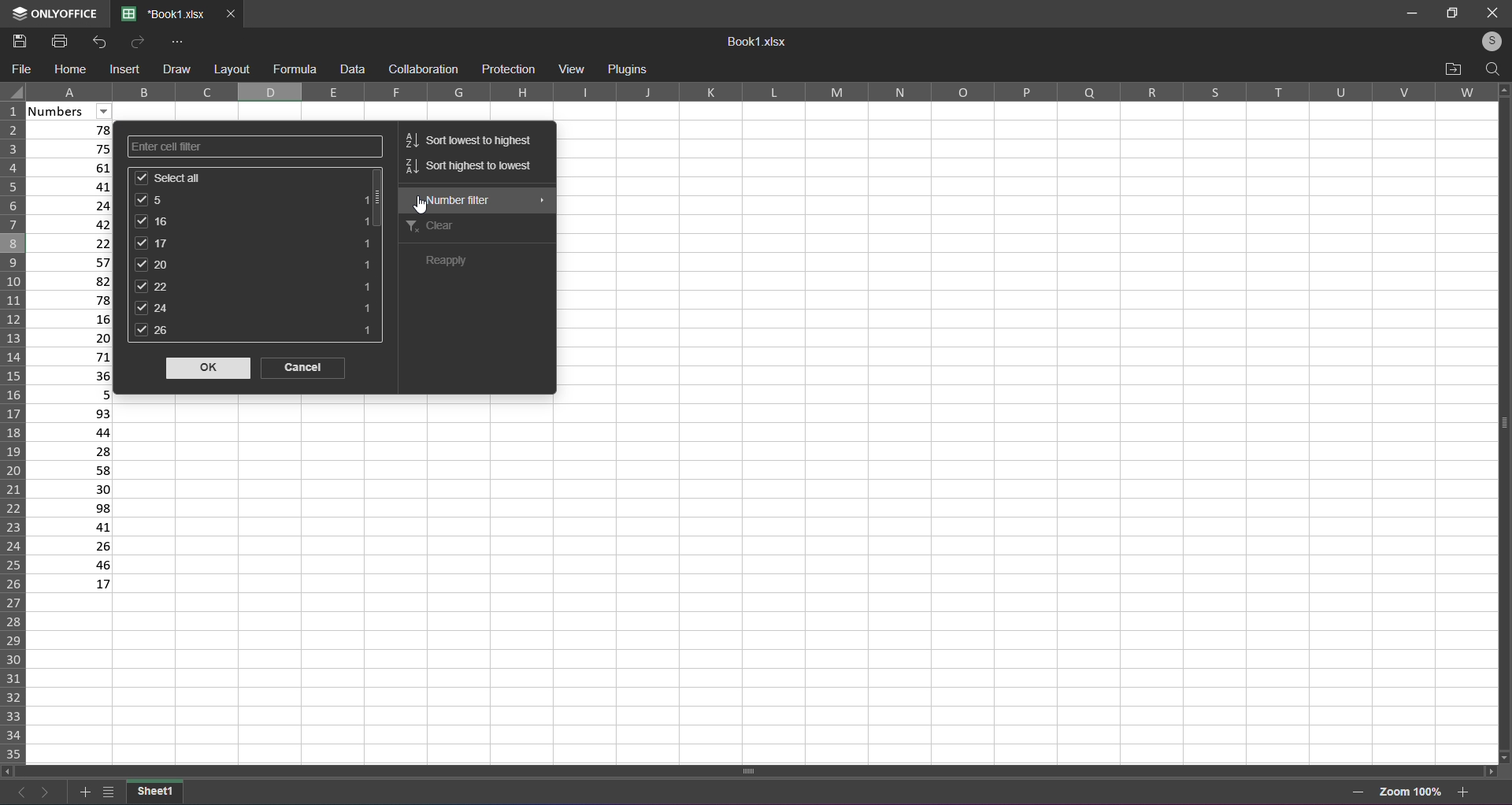  I want to click on cursor, so click(424, 206).